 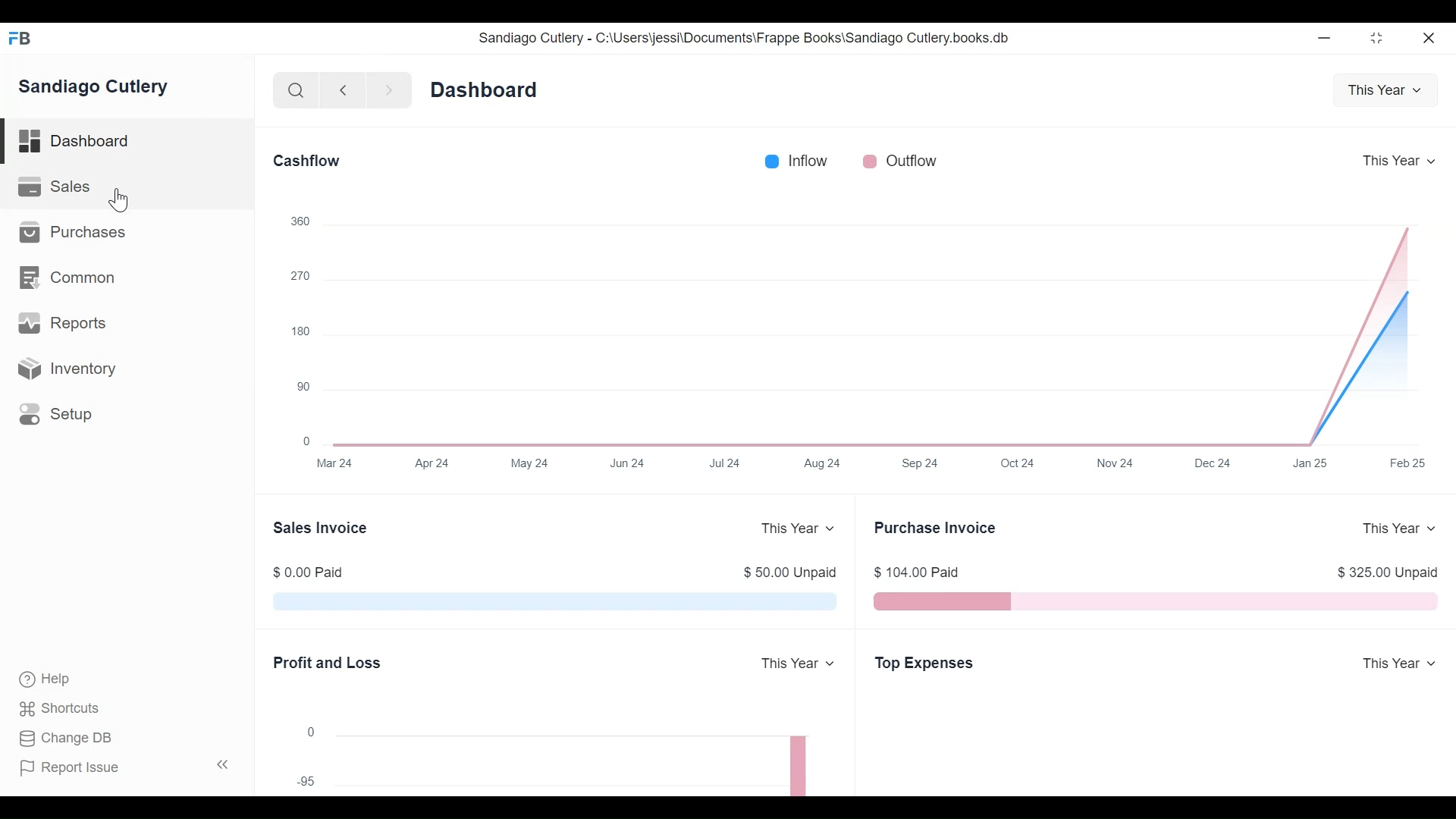 What do you see at coordinates (308, 572) in the screenshot?
I see `$ 0.00 Paid` at bounding box center [308, 572].